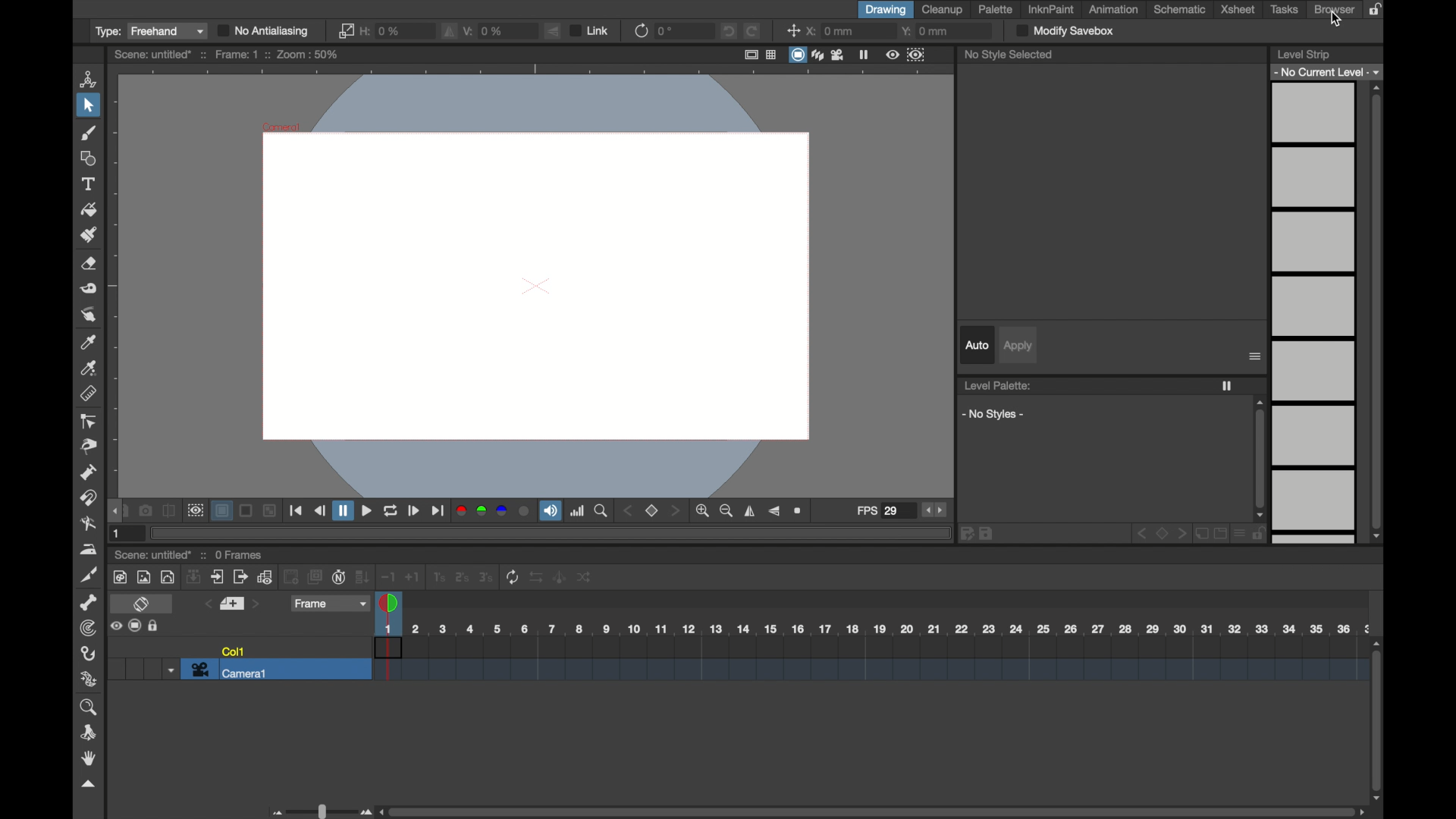 The width and height of the screenshot is (1456, 819). Describe the element at coordinates (89, 576) in the screenshot. I see `cutter tool` at that location.